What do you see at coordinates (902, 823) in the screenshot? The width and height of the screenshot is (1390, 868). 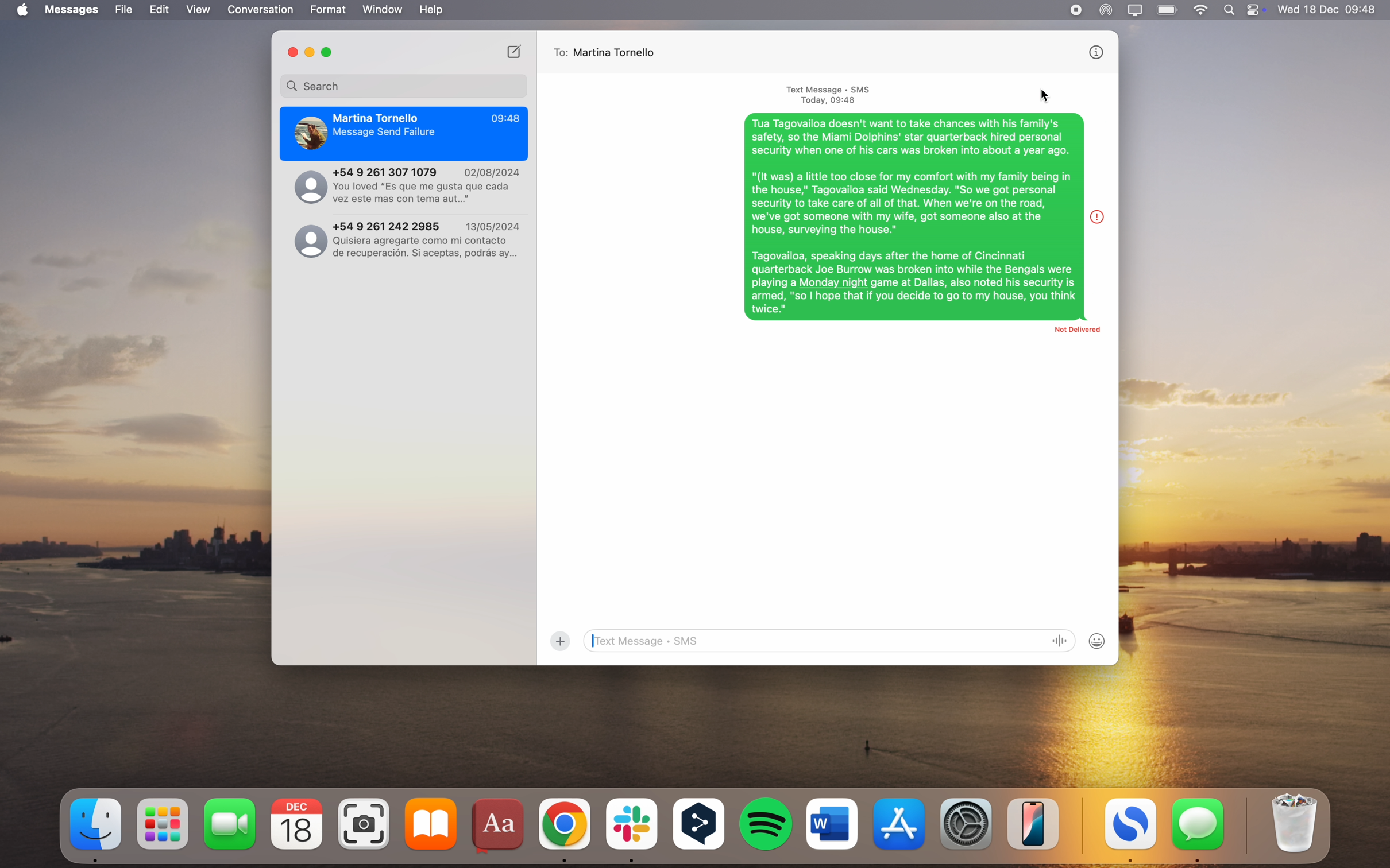 I see `App Store` at bounding box center [902, 823].